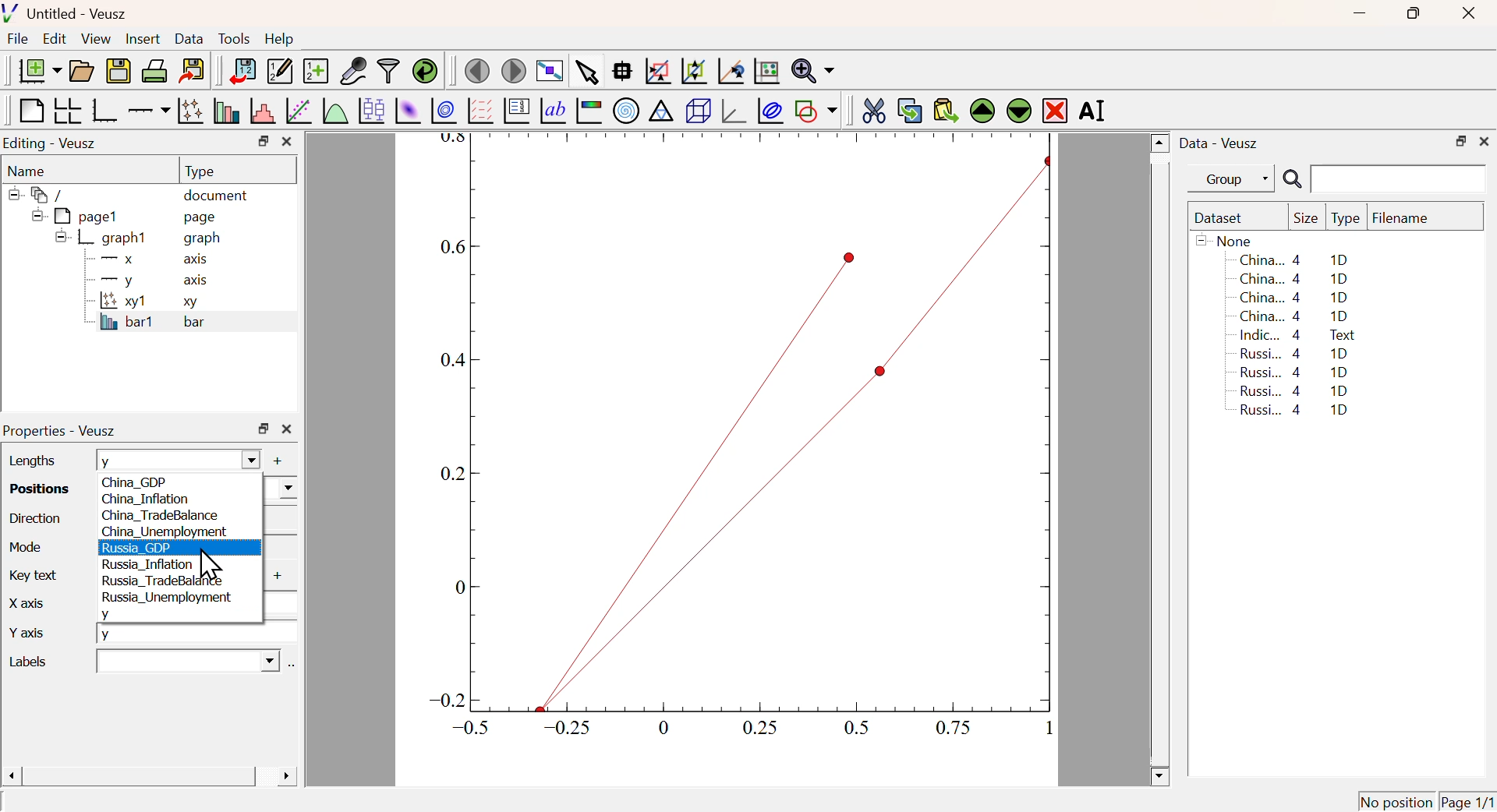 The height and width of the screenshot is (812, 1497). Describe the element at coordinates (39, 607) in the screenshot. I see `X Axis` at that location.